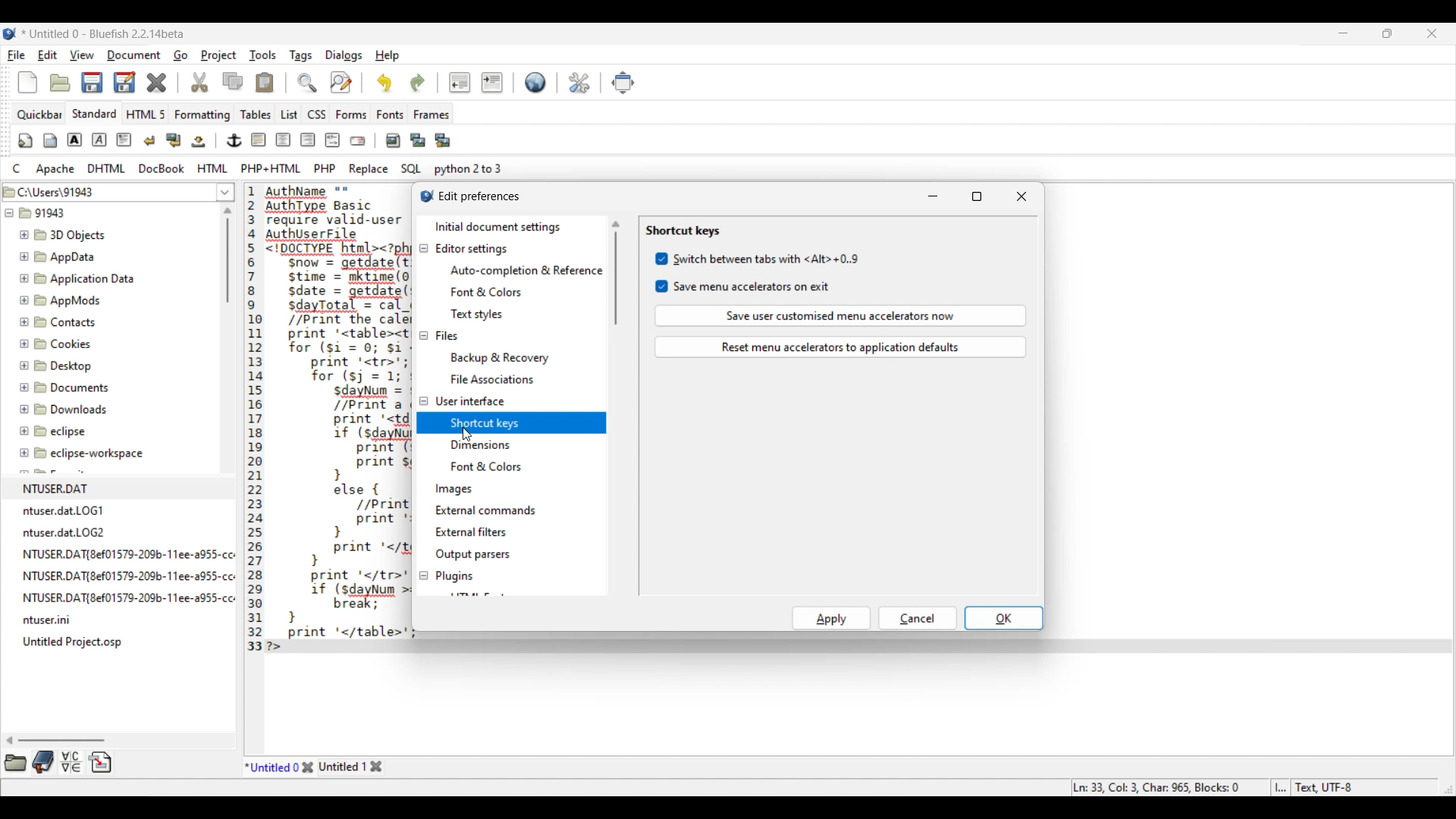  What do you see at coordinates (99, 486) in the screenshot?
I see `NTUSER.DAT` at bounding box center [99, 486].